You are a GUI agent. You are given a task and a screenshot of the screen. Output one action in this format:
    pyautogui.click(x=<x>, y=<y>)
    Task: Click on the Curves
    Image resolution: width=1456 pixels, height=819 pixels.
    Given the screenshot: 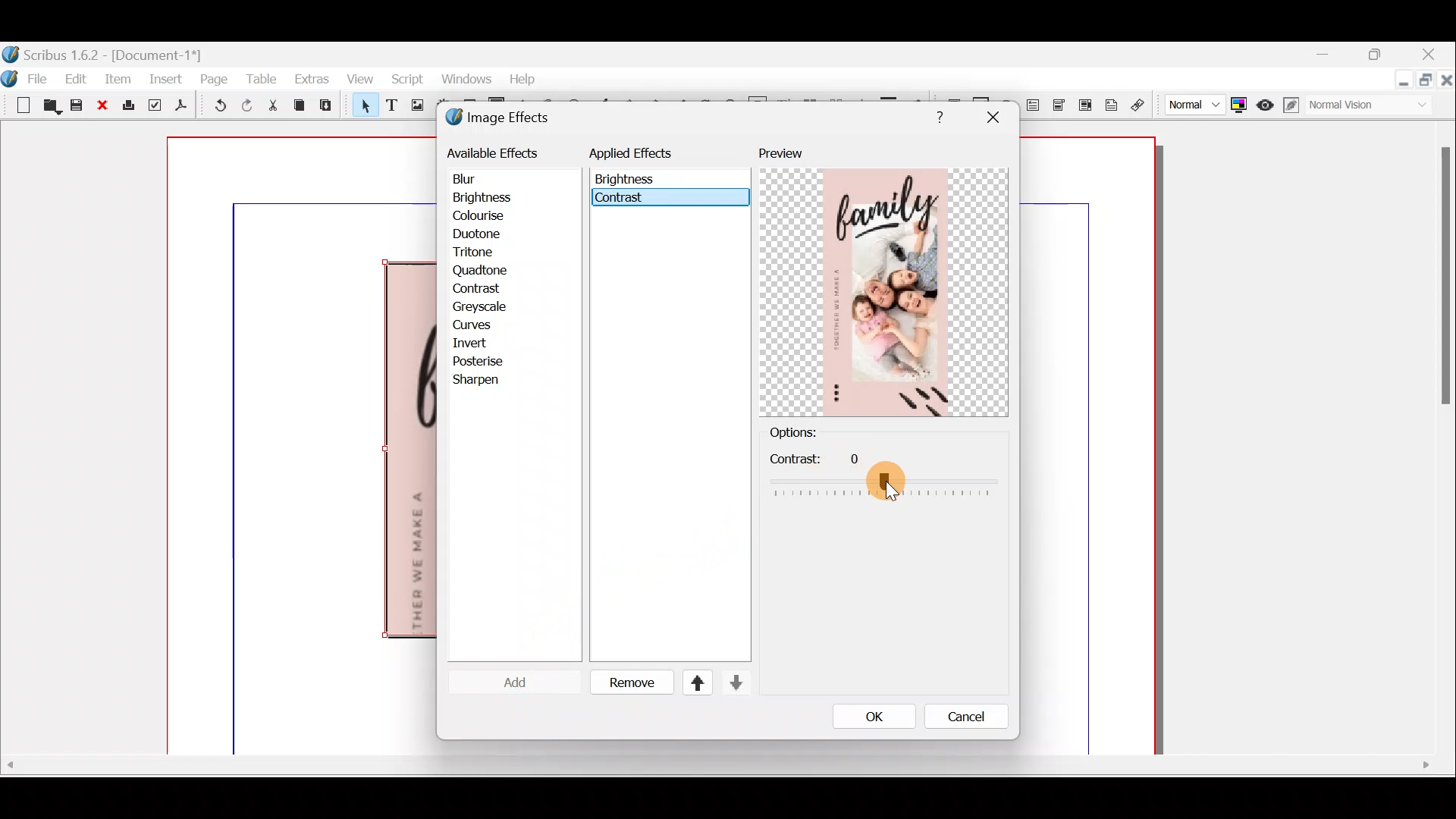 What is the action you would take?
    pyautogui.click(x=483, y=326)
    